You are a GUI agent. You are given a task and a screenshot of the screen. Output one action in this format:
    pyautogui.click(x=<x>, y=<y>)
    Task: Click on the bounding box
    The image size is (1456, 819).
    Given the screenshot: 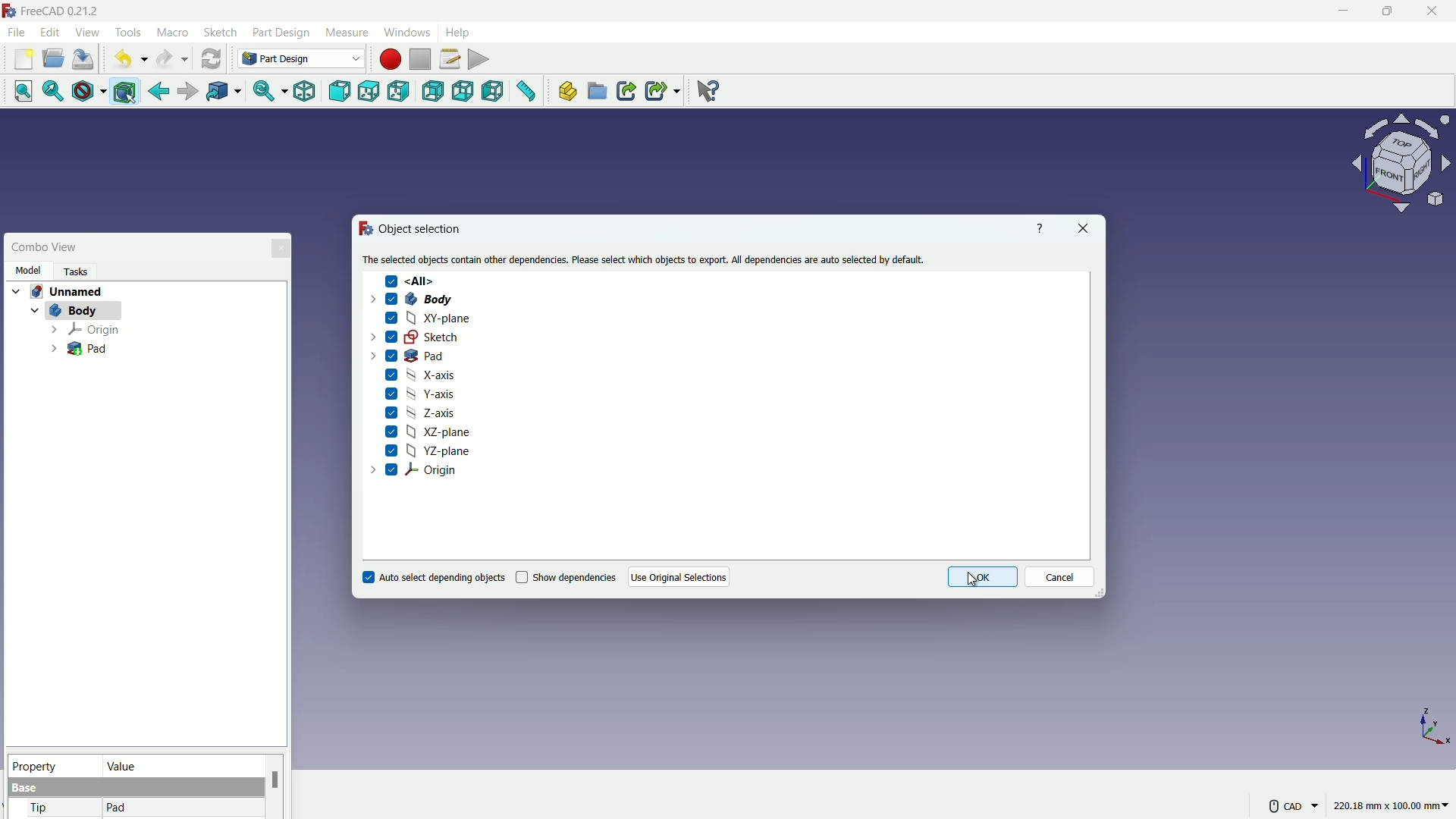 What is the action you would take?
    pyautogui.click(x=127, y=93)
    